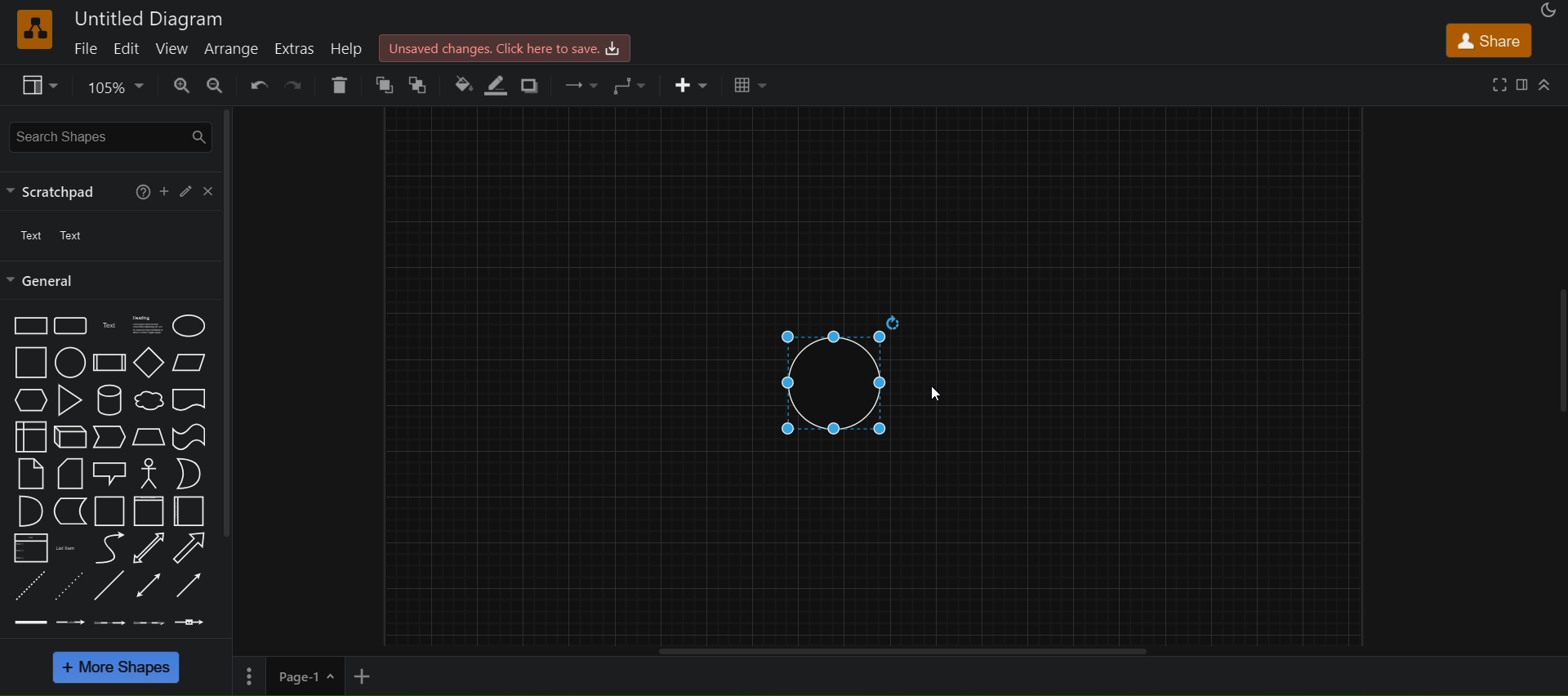 The width and height of the screenshot is (1568, 696). Describe the element at coordinates (1486, 39) in the screenshot. I see `share` at that location.